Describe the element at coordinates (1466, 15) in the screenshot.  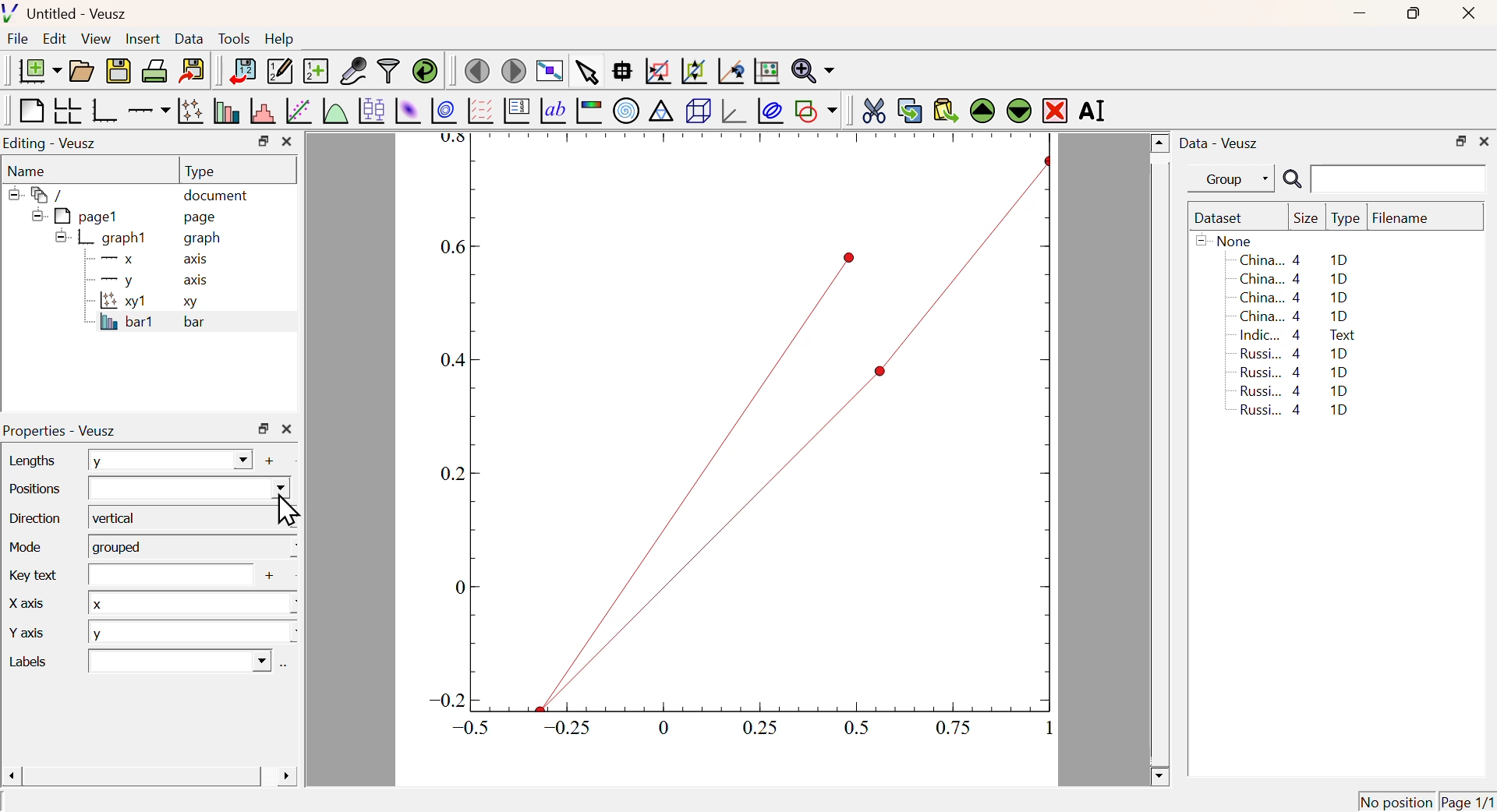
I see `Close` at that location.